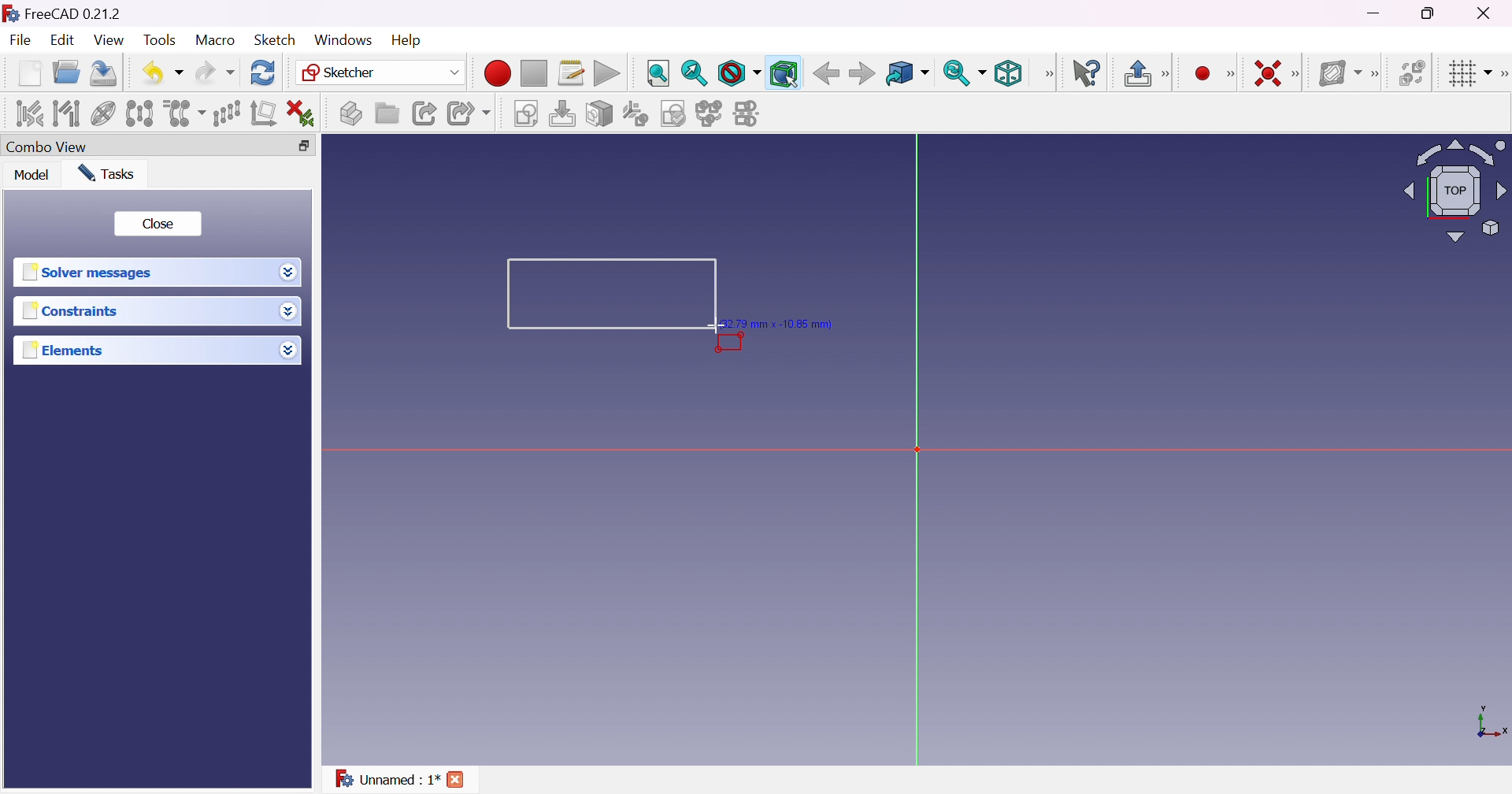  I want to click on Drop down, so click(289, 272).